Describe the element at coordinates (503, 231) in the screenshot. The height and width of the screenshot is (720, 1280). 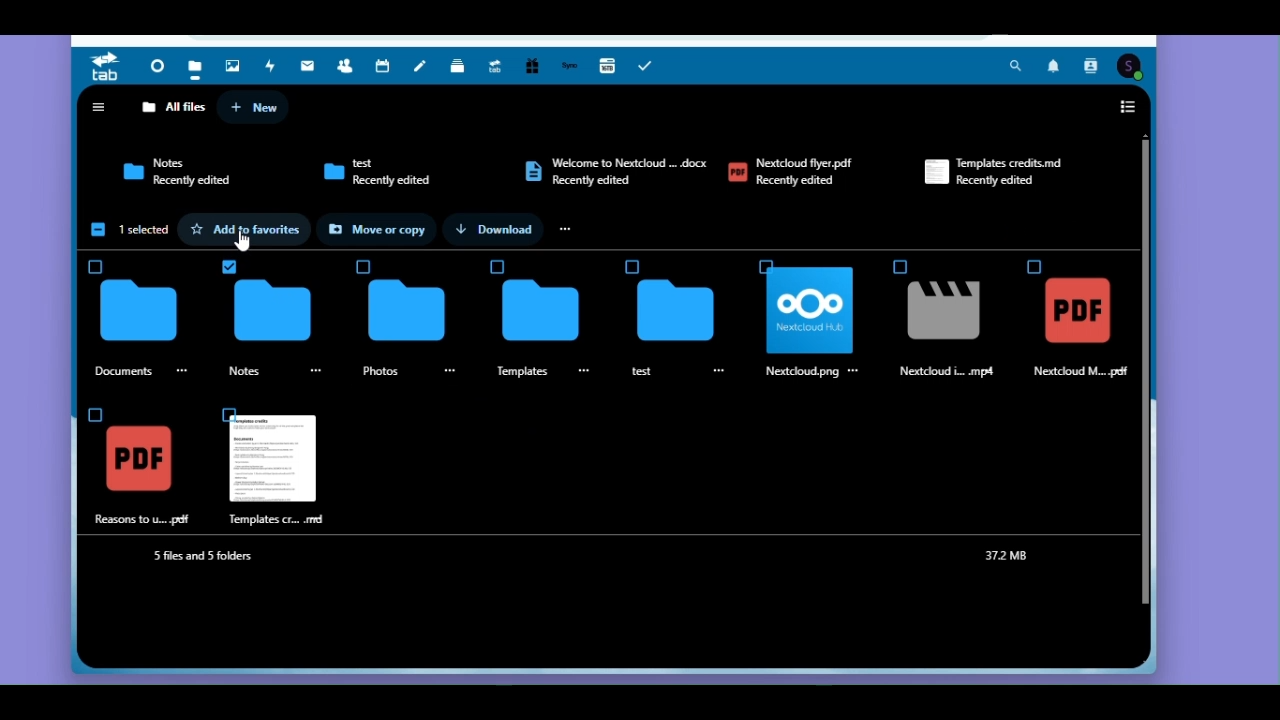
I see `Download` at that location.